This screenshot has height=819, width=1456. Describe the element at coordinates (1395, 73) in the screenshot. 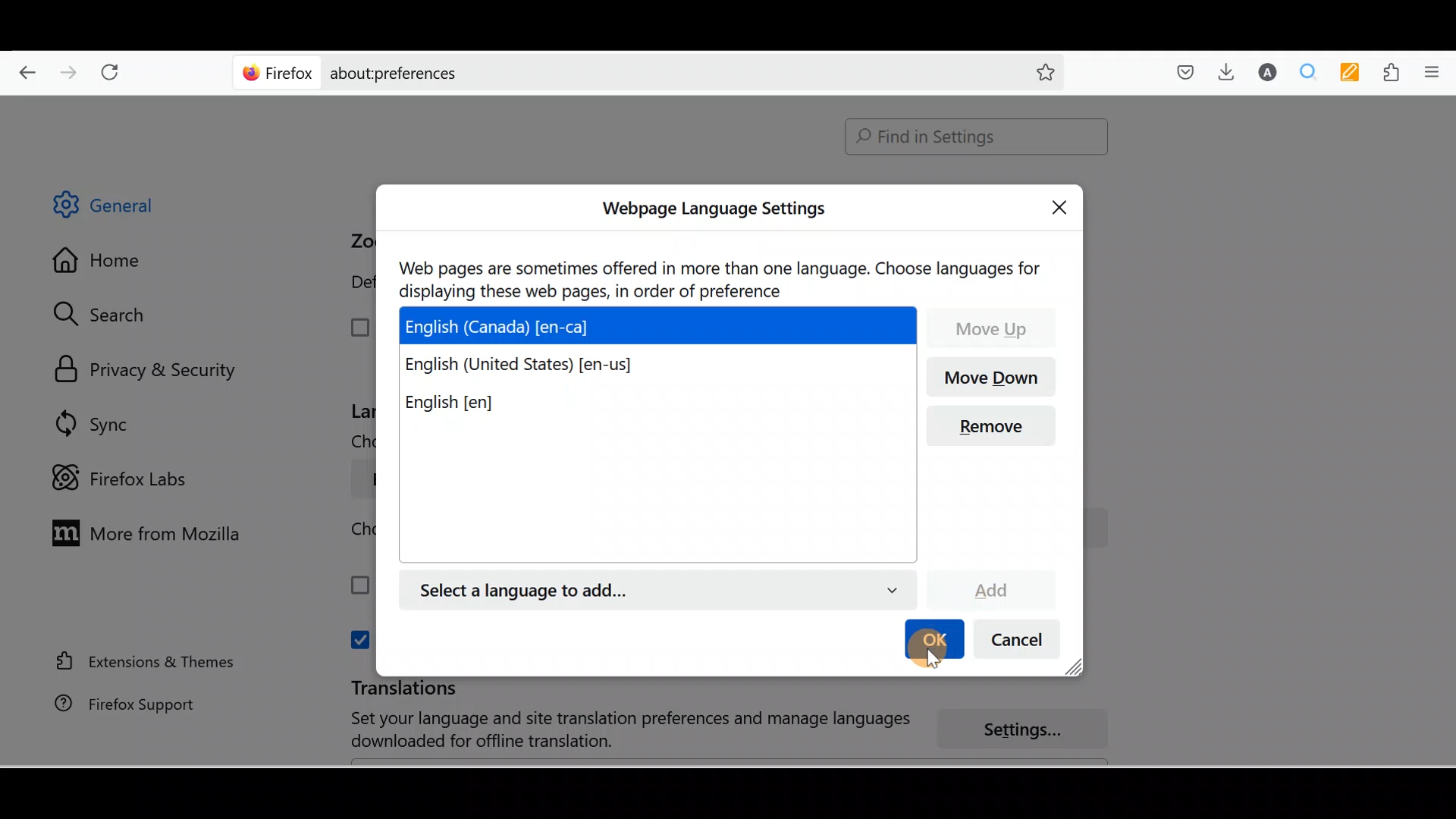

I see `Extensions` at that location.